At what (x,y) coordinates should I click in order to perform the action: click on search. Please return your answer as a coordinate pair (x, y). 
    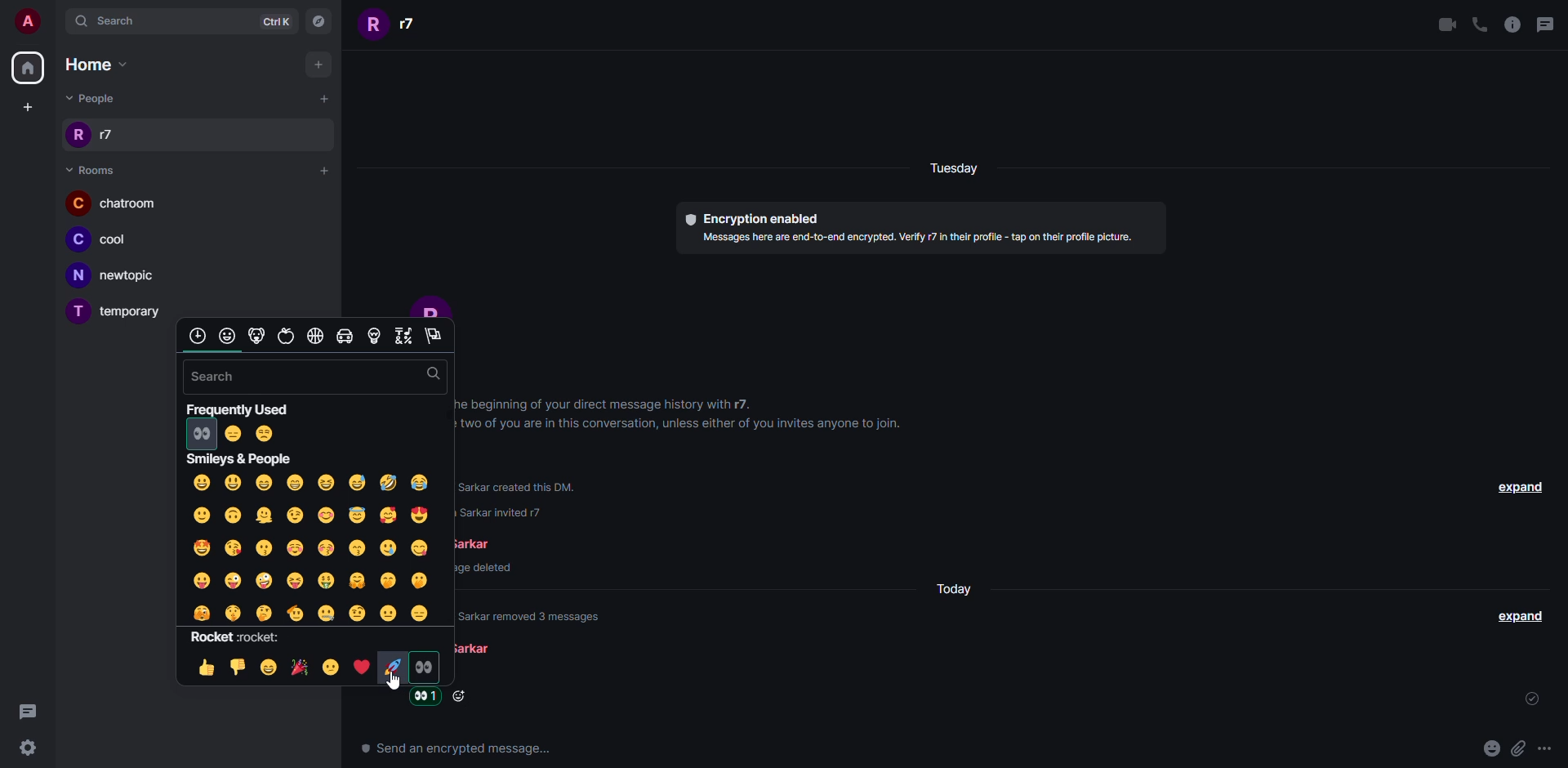
    Looking at the image, I should click on (215, 375).